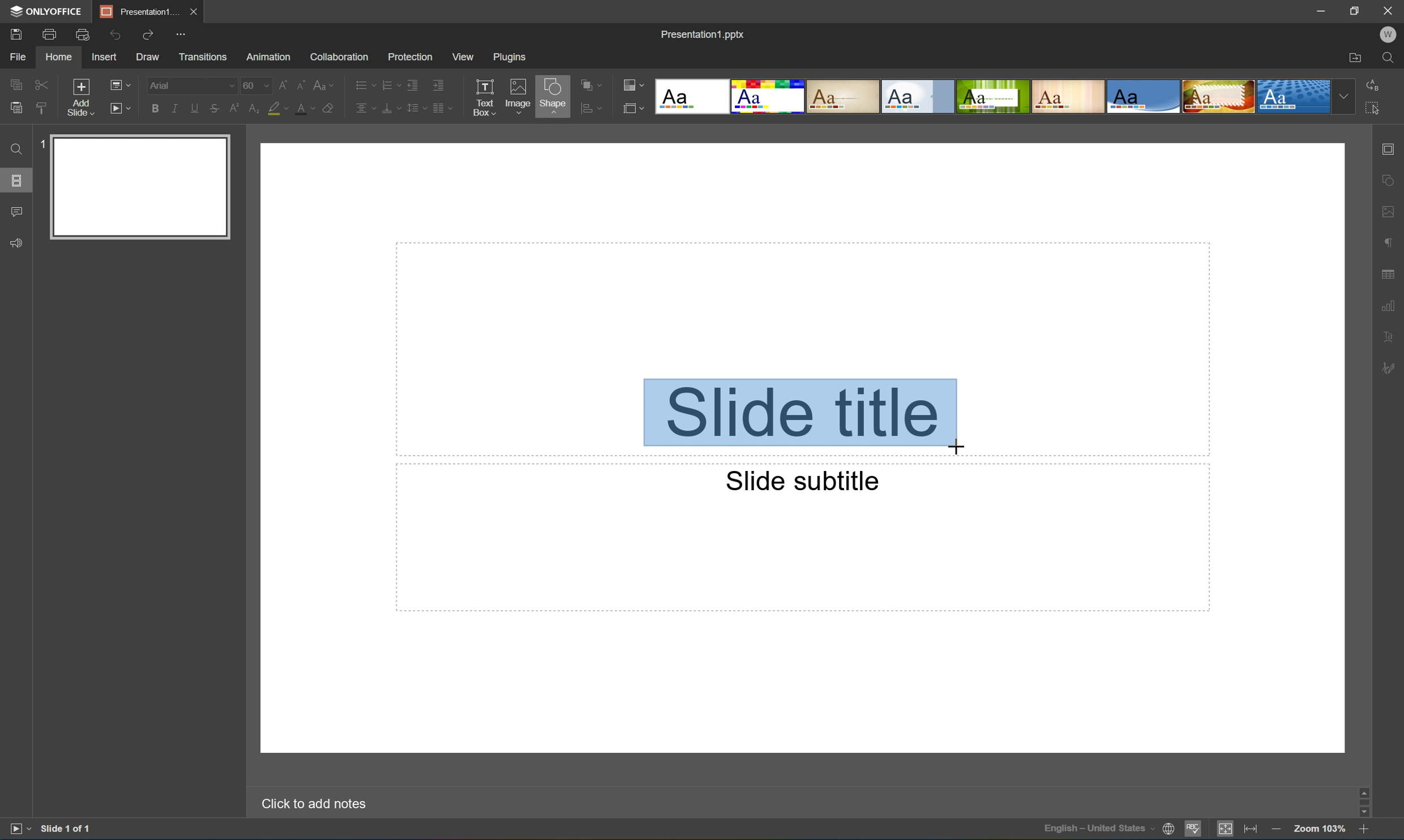 This screenshot has width=1404, height=840. Describe the element at coordinates (271, 58) in the screenshot. I see `Animation` at that location.